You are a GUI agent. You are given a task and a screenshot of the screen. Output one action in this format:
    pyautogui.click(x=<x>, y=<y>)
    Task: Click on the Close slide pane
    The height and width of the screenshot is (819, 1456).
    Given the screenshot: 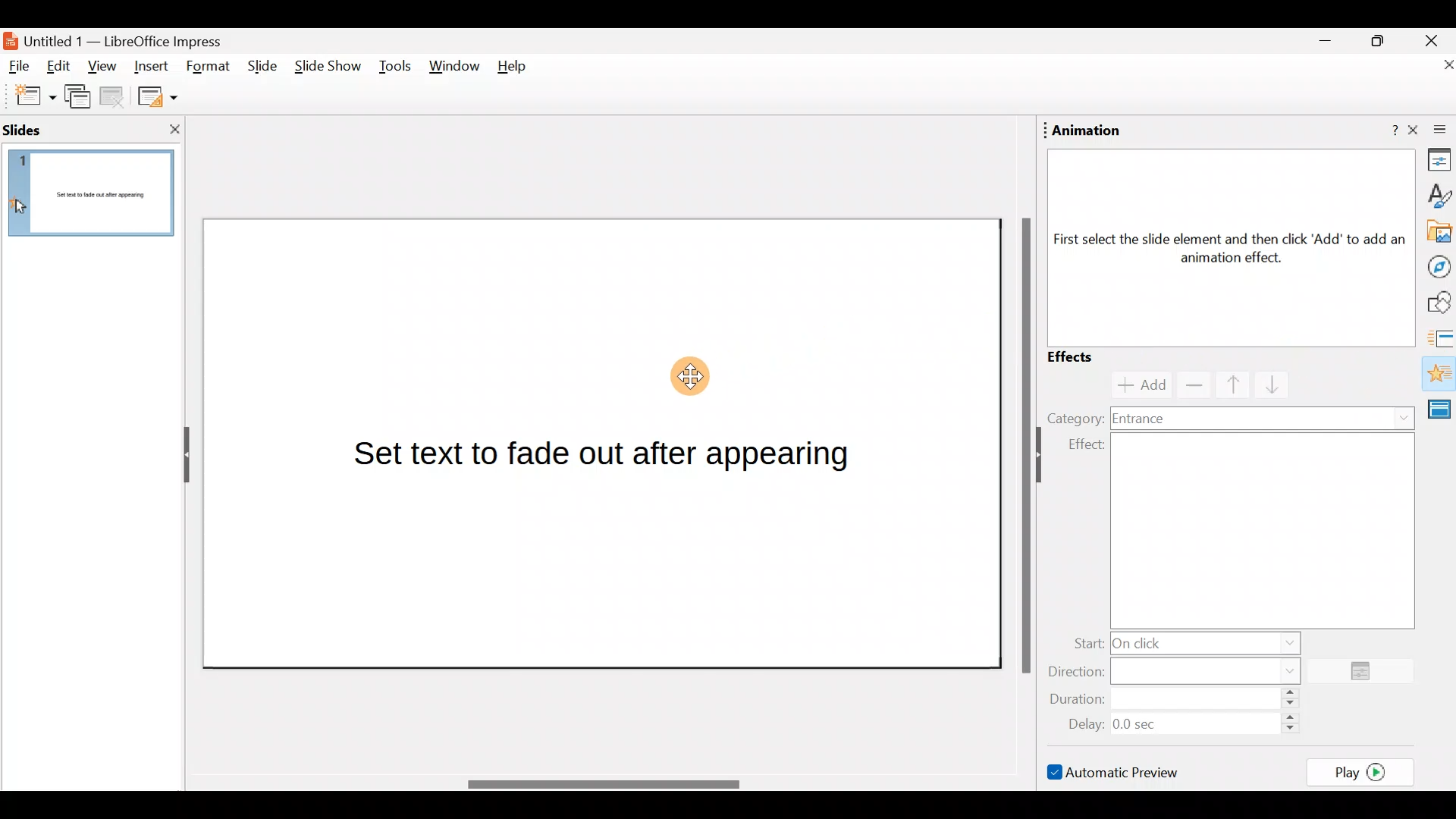 What is the action you would take?
    pyautogui.click(x=170, y=129)
    